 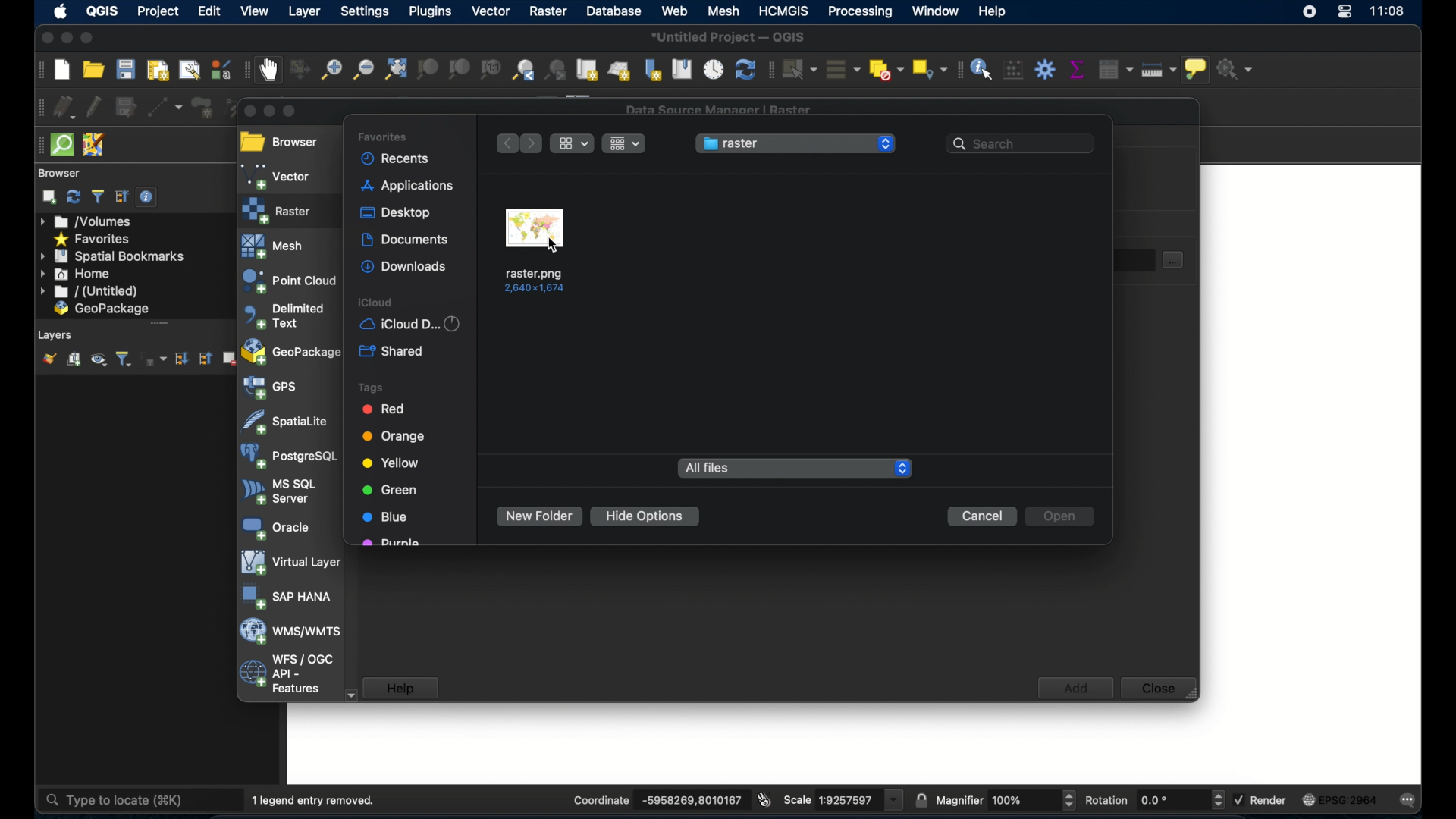 What do you see at coordinates (1076, 69) in the screenshot?
I see `show statistical summary` at bounding box center [1076, 69].